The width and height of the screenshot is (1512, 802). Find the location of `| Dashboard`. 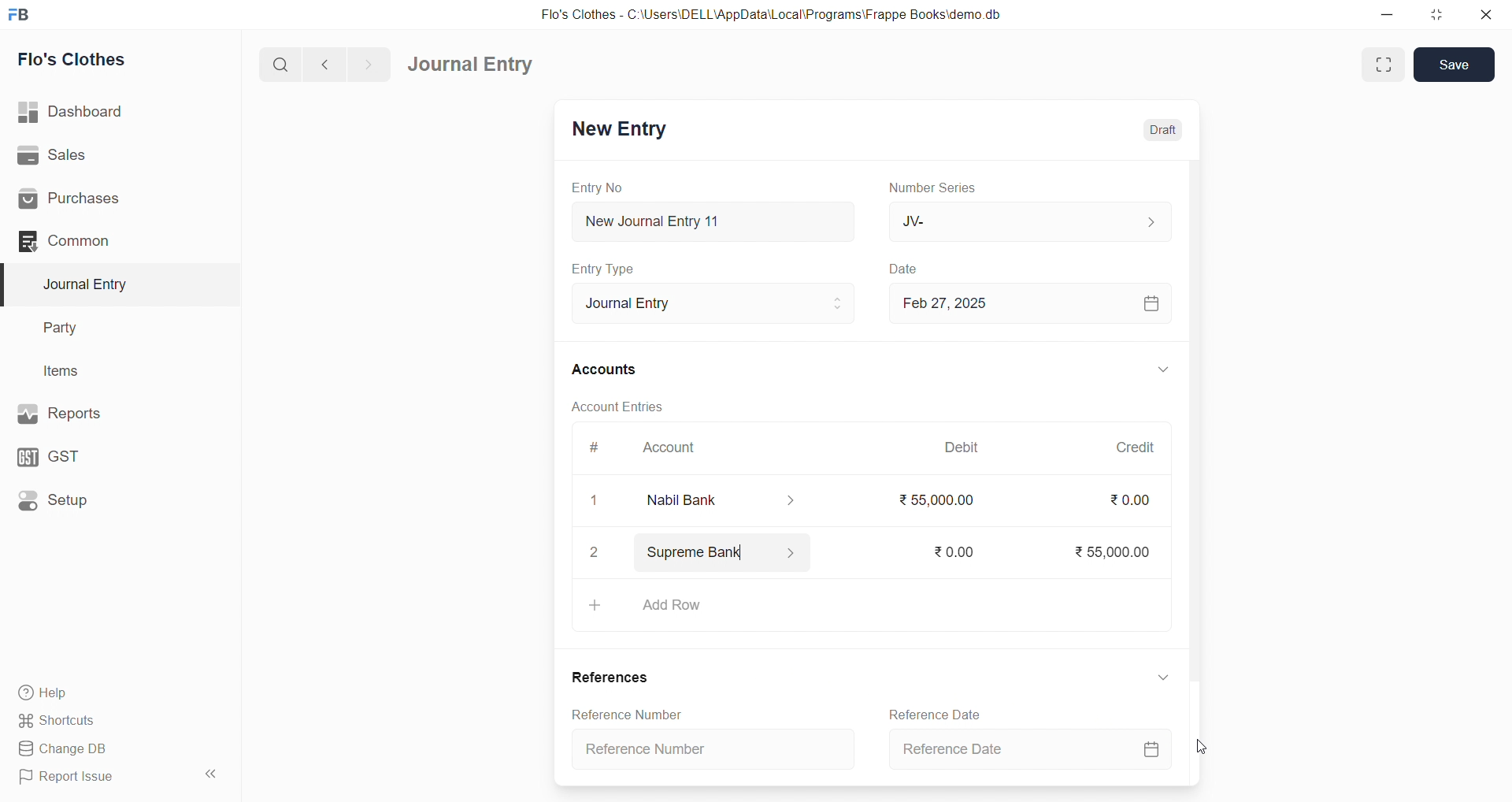

| Dashboard is located at coordinates (86, 113).